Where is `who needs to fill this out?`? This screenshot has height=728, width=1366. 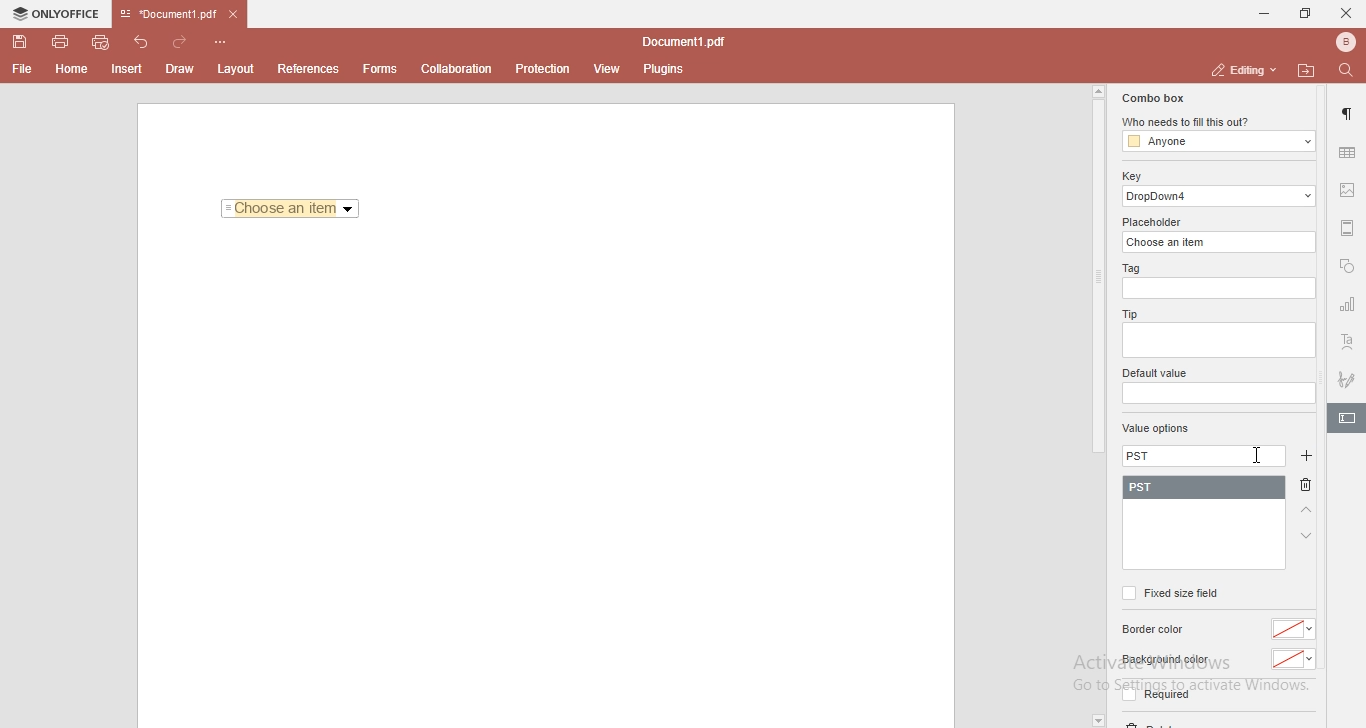 who needs to fill this out? is located at coordinates (1216, 123).